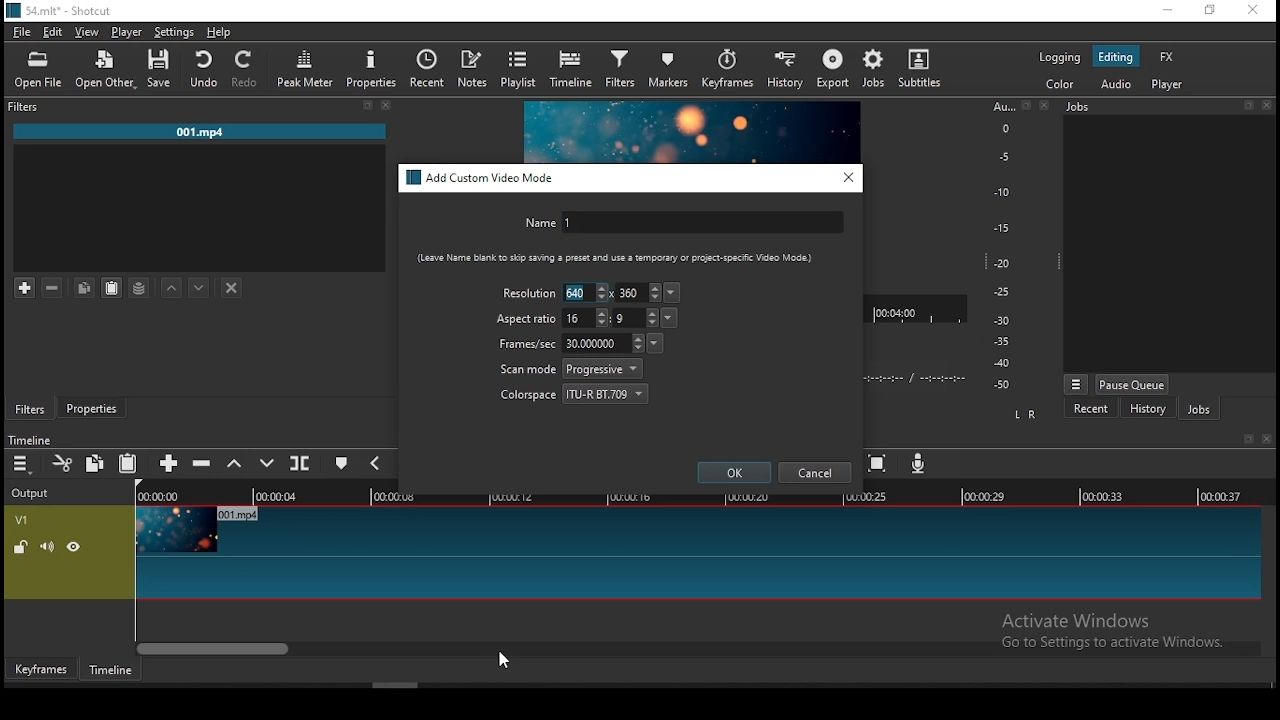 The image size is (1280, 720). What do you see at coordinates (41, 670) in the screenshot?
I see `keyframe` at bounding box center [41, 670].